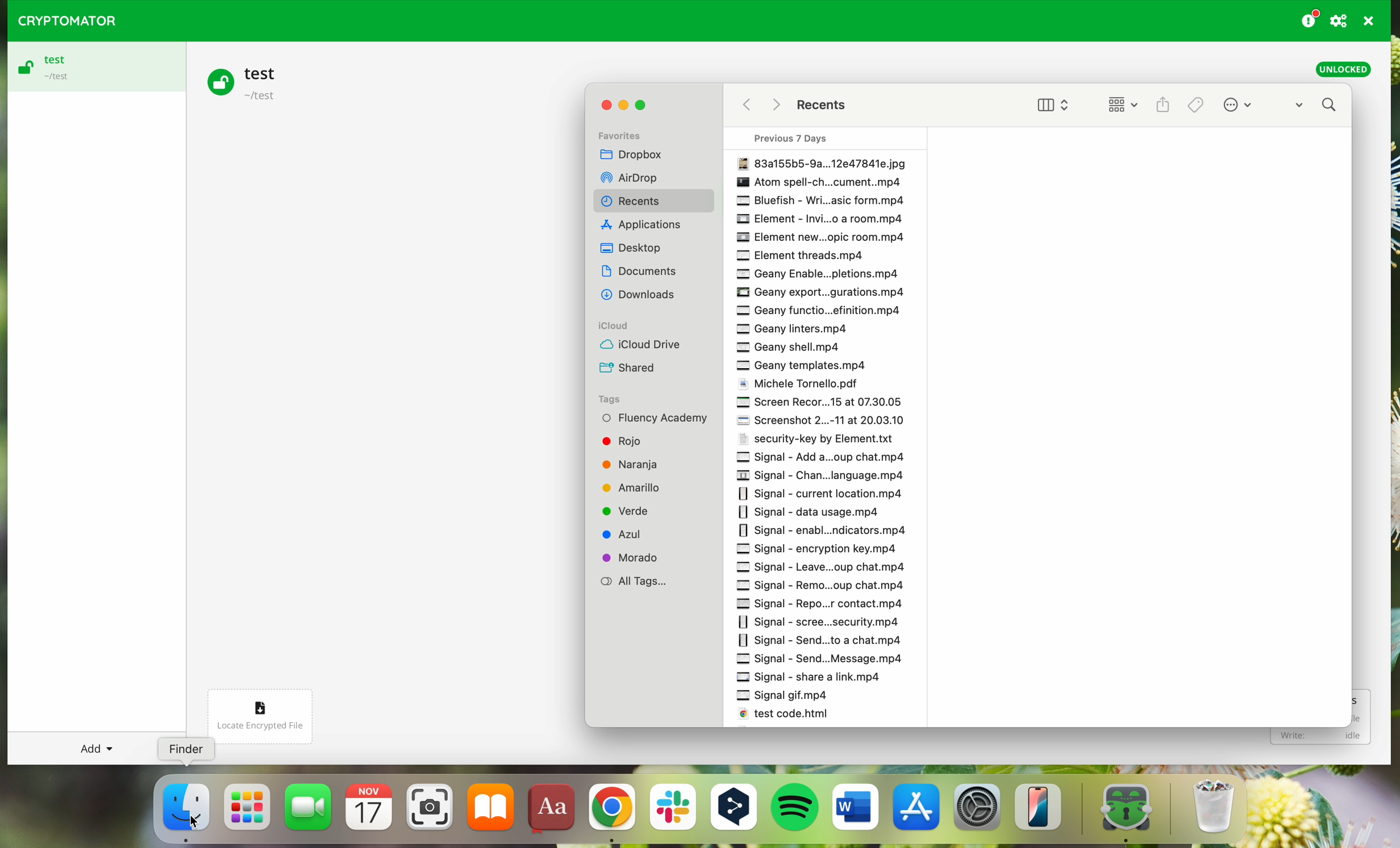 The height and width of the screenshot is (848, 1400). What do you see at coordinates (978, 812) in the screenshot?
I see `settings` at bounding box center [978, 812].